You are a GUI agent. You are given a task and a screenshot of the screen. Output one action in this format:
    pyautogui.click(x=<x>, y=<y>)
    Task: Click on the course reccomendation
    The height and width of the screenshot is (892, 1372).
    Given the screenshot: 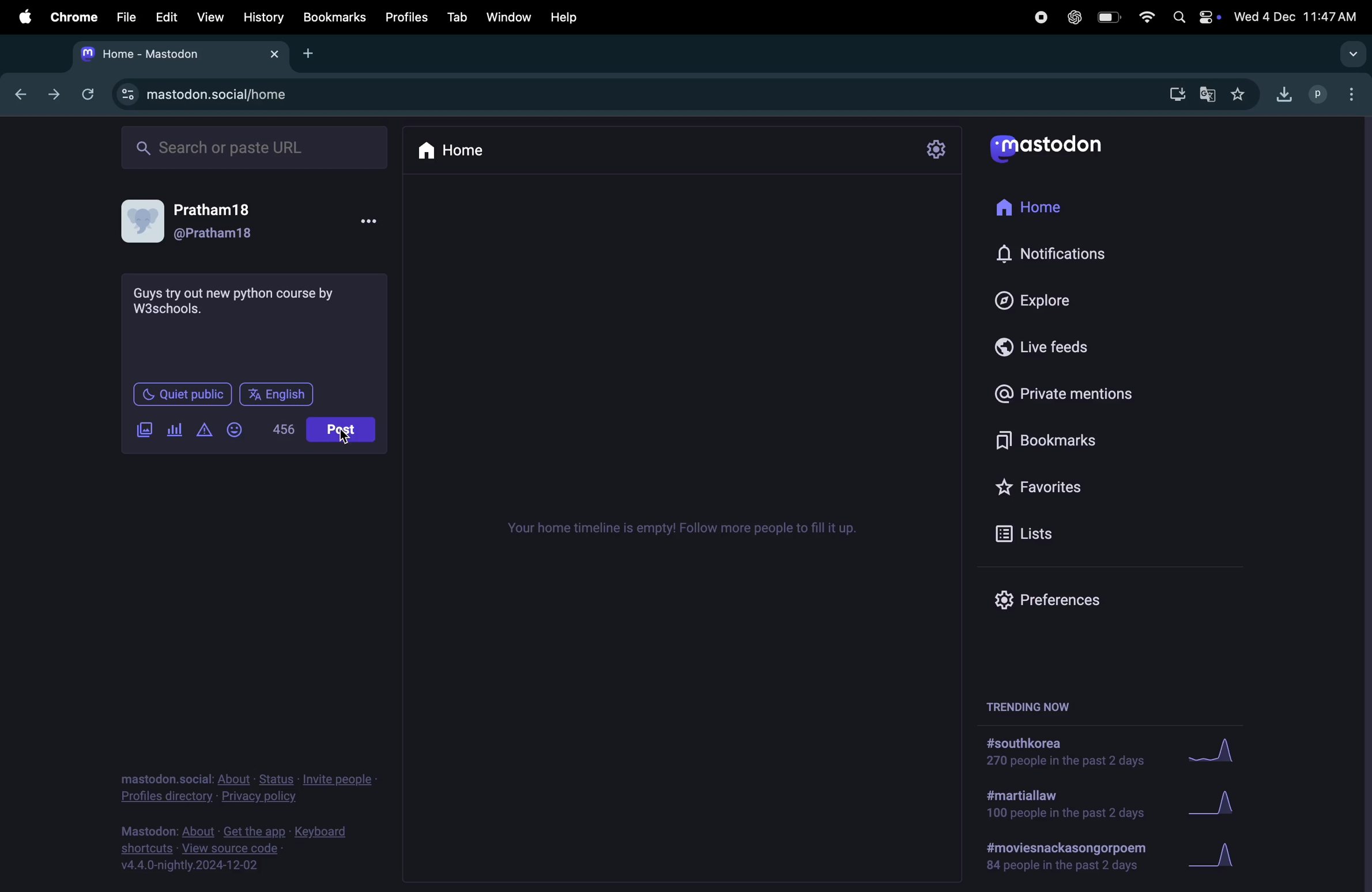 What is the action you would take?
    pyautogui.click(x=238, y=302)
    